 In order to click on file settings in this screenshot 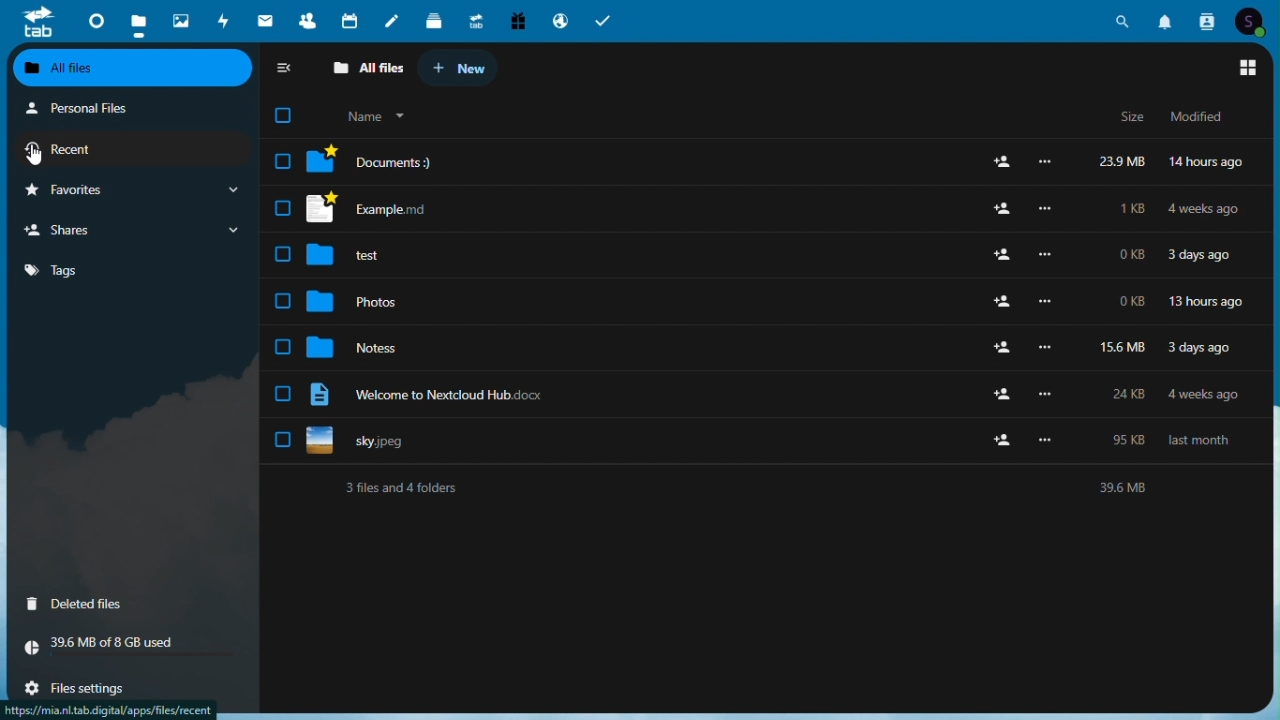, I will do `click(95, 687)`.